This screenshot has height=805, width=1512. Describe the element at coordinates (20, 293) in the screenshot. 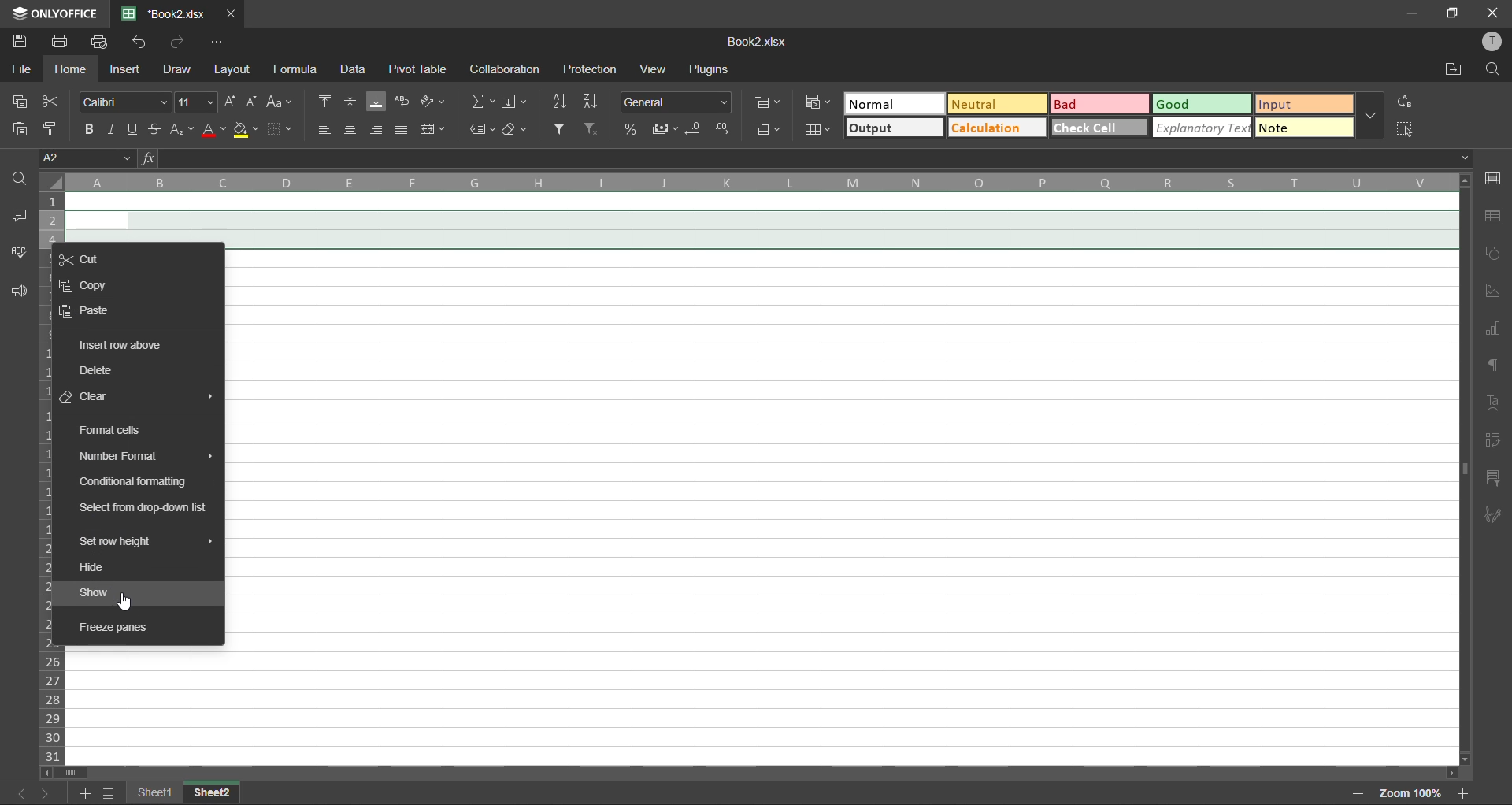

I see `feedback` at that location.